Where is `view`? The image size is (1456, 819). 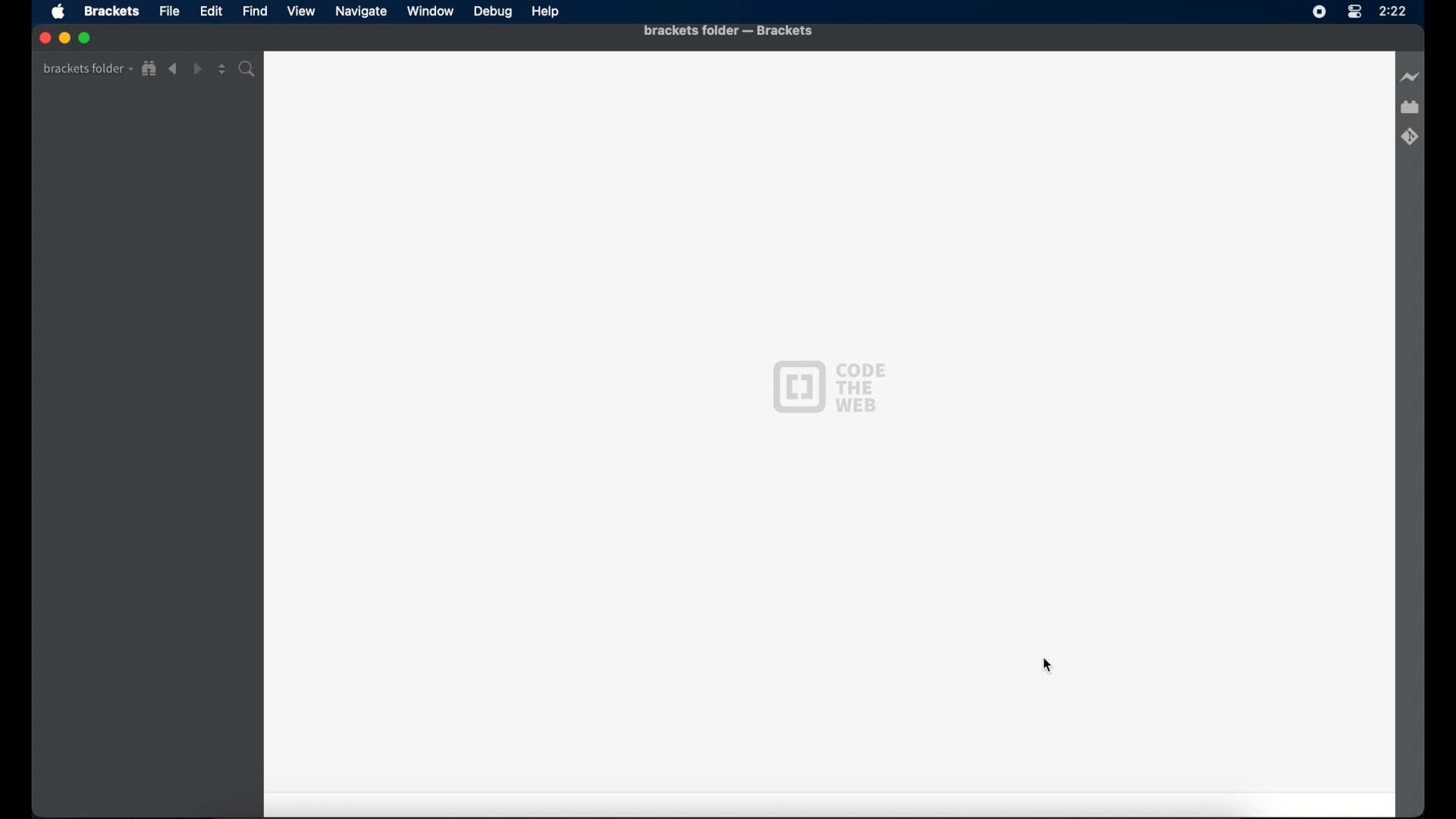 view is located at coordinates (301, 11).